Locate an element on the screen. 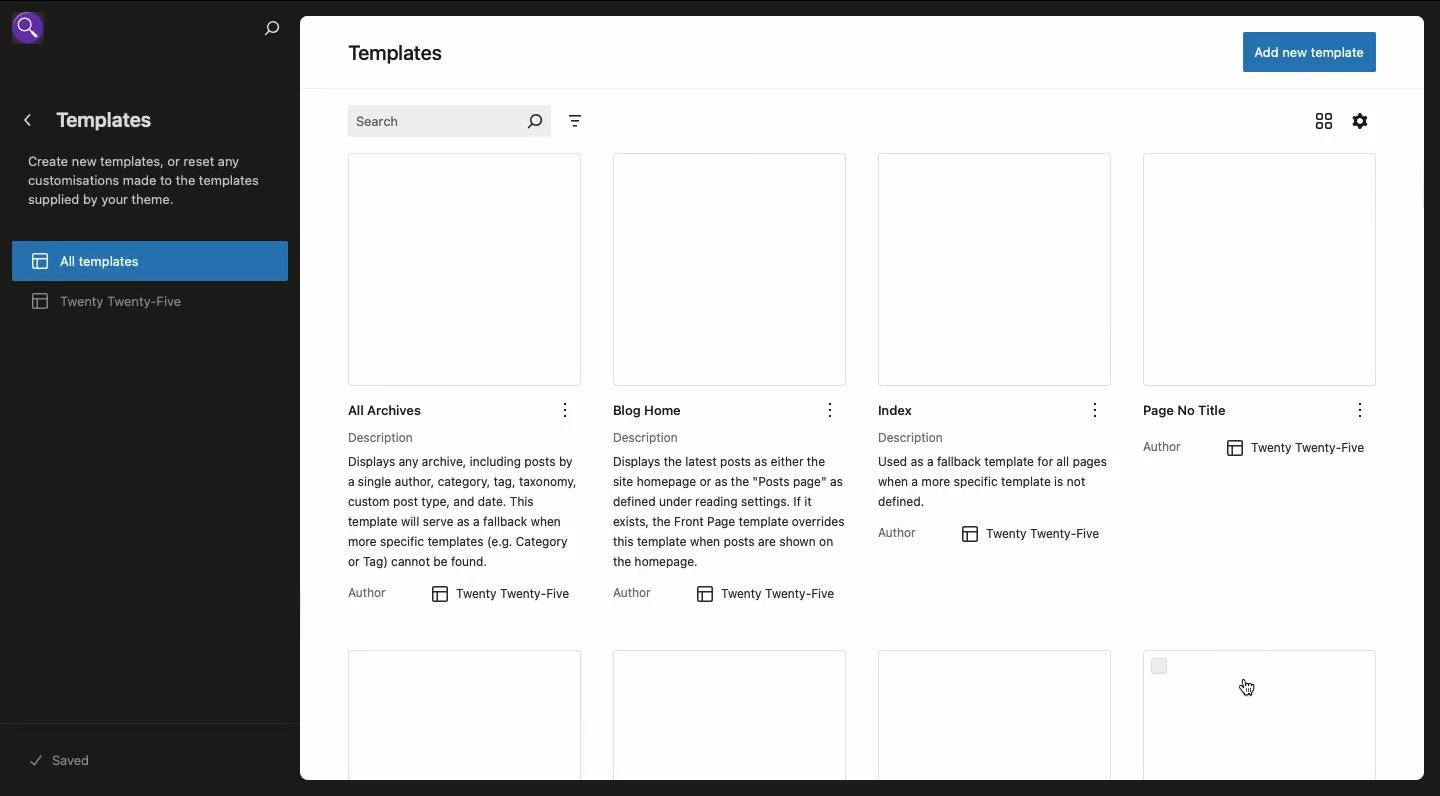  All Templates is located at coordinates (150, 262).